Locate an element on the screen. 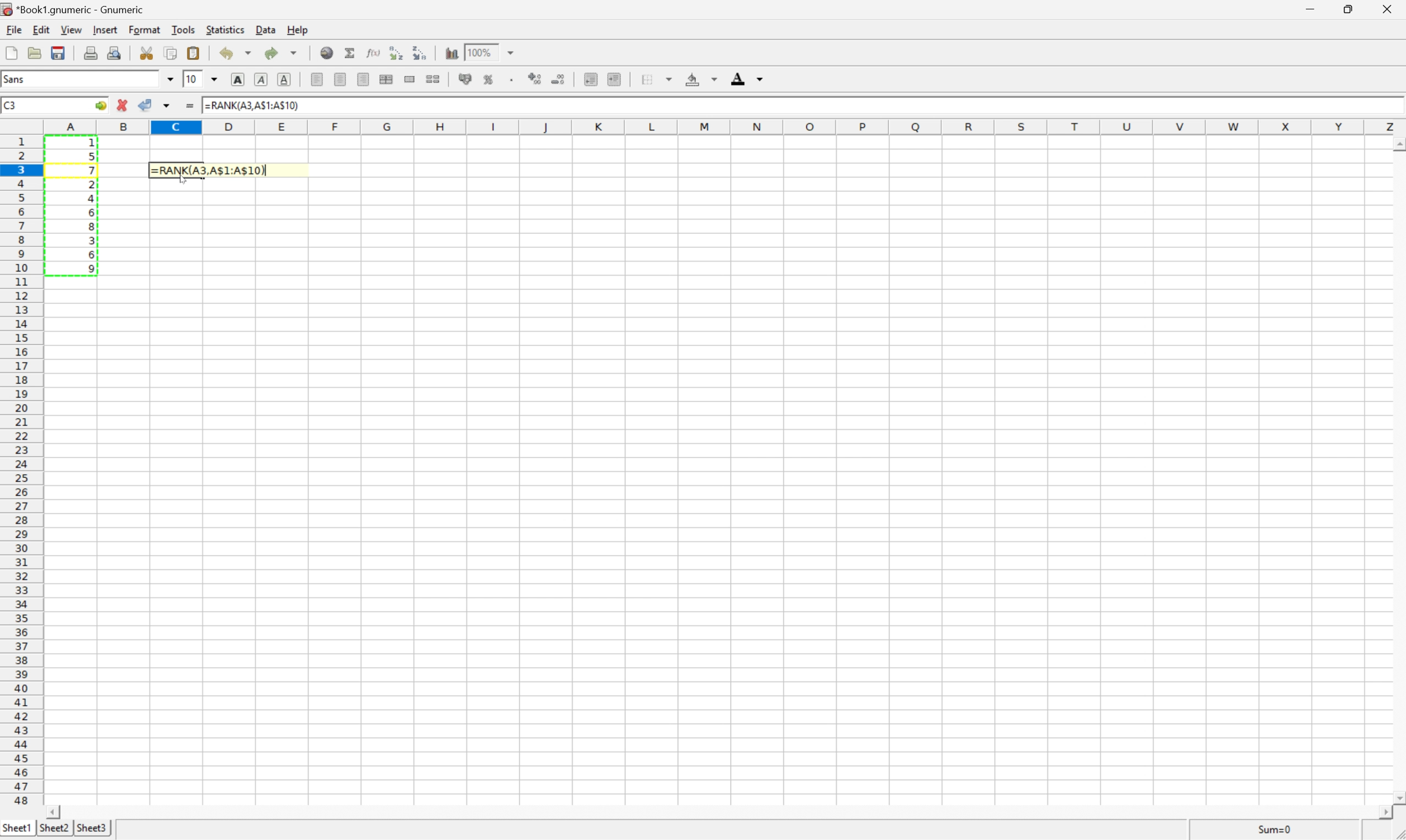 This screenshot has width=1406, height=840. scroll left is located at coordinates (54, 811).